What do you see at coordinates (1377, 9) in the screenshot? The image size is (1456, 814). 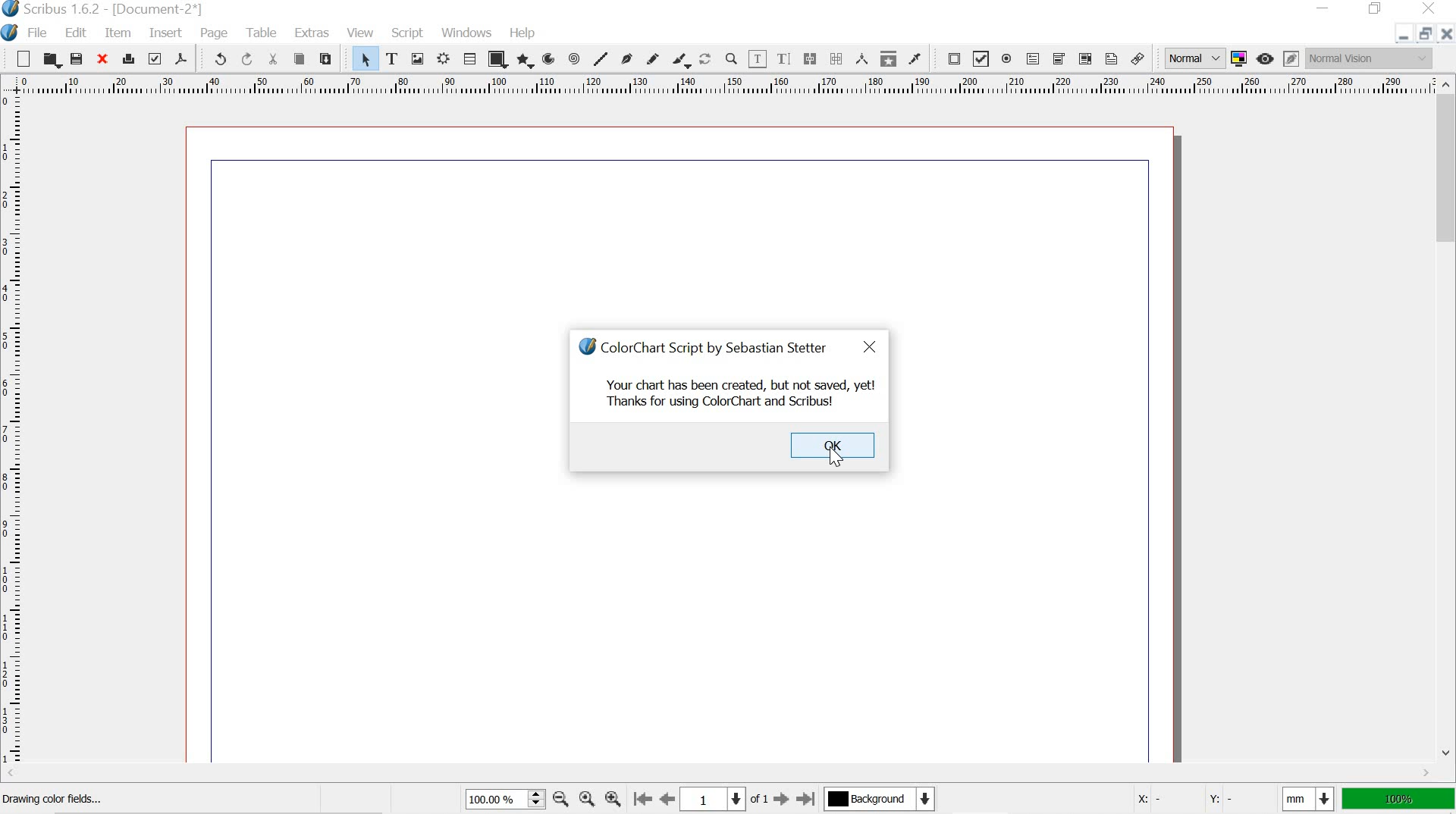 I see `restore down` at bounding box center [1377, 9].